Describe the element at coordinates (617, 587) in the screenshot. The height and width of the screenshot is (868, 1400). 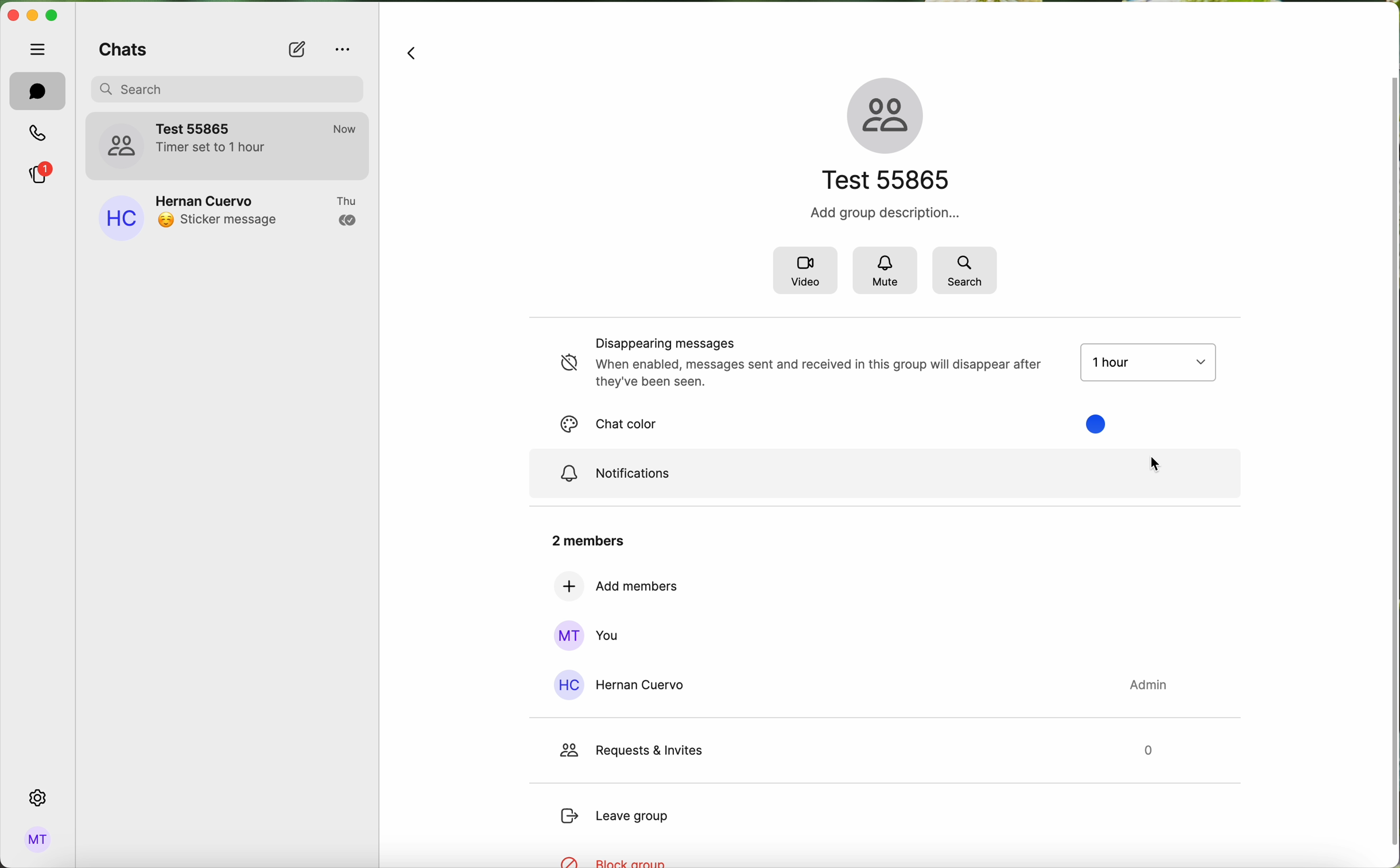
I see `add members` at that location.